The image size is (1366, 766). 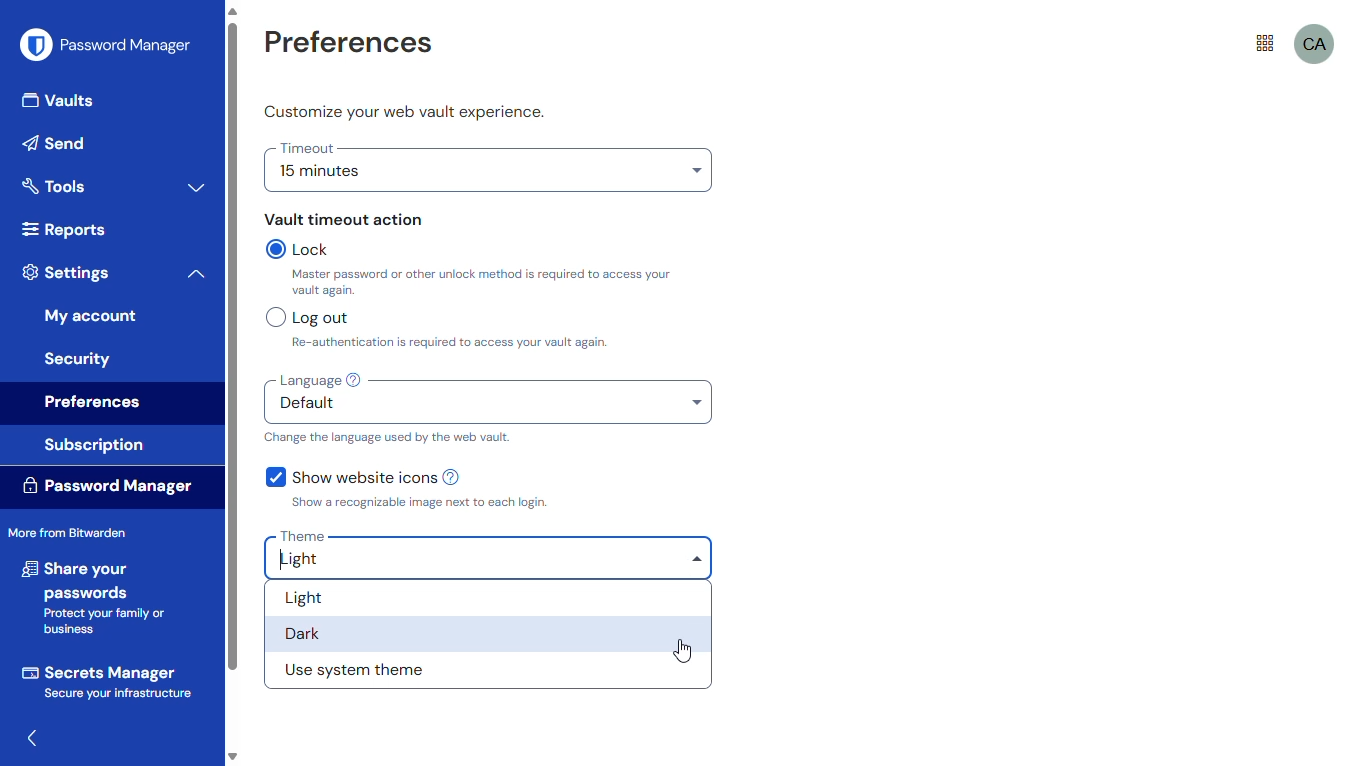 What do you see at coordinates (489, 283) in the screenshot?
I see `Master password or other unlock method is required to access your vault again` at bounding box center [489, 283].